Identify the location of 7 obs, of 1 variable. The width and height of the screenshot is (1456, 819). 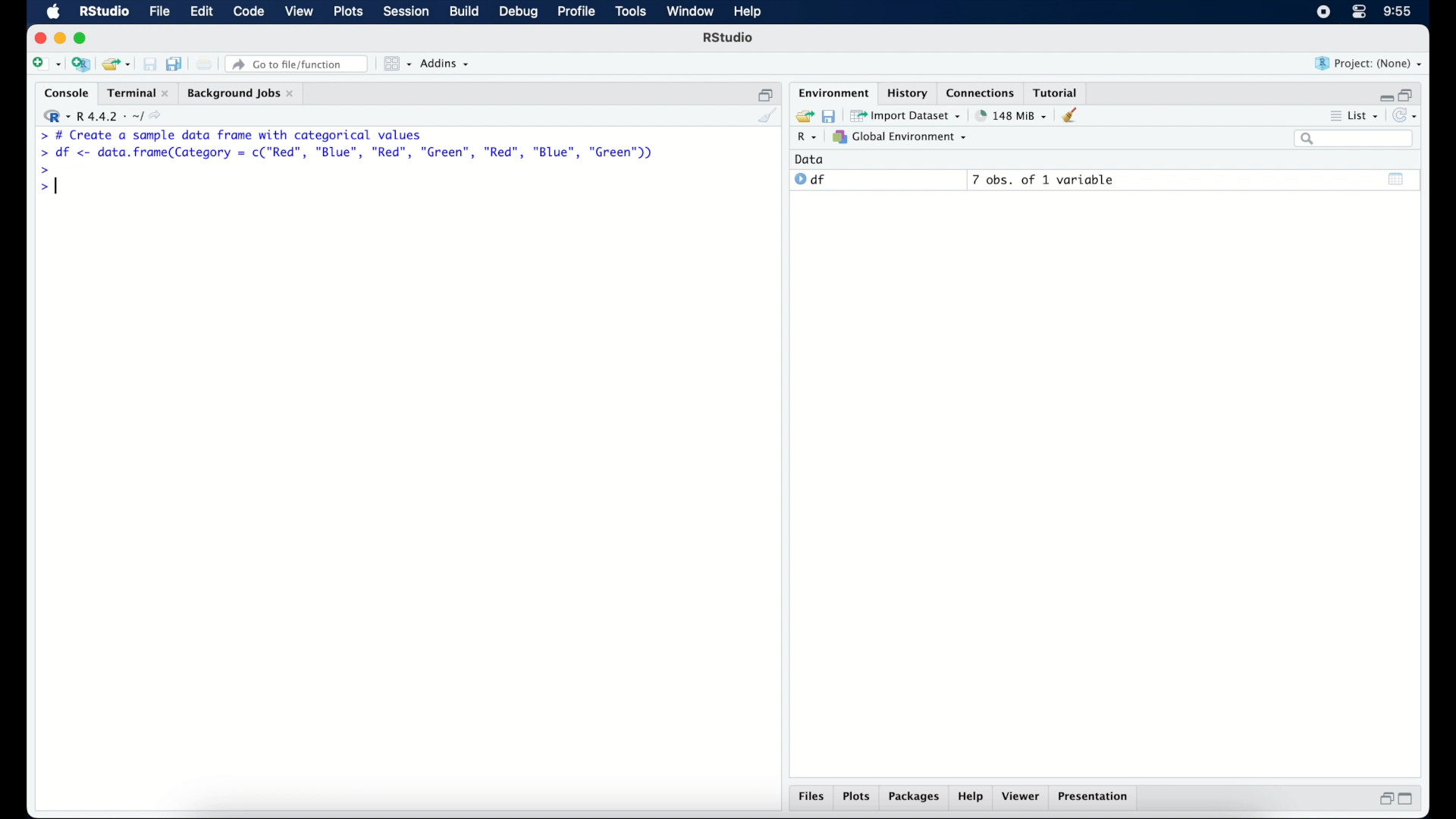
(1043, 180).